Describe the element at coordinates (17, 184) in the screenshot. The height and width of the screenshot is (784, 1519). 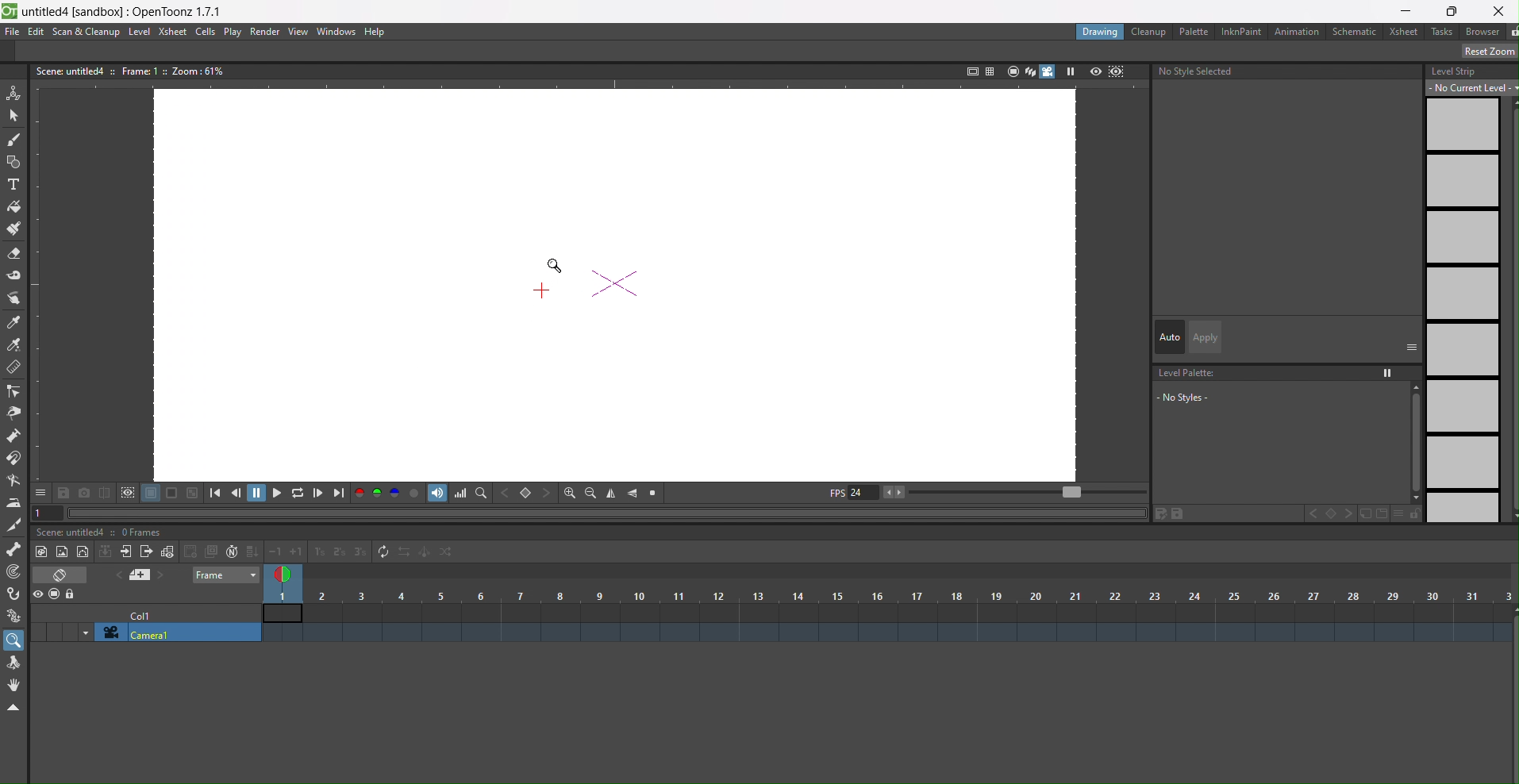
I see `type tool ` at that location.